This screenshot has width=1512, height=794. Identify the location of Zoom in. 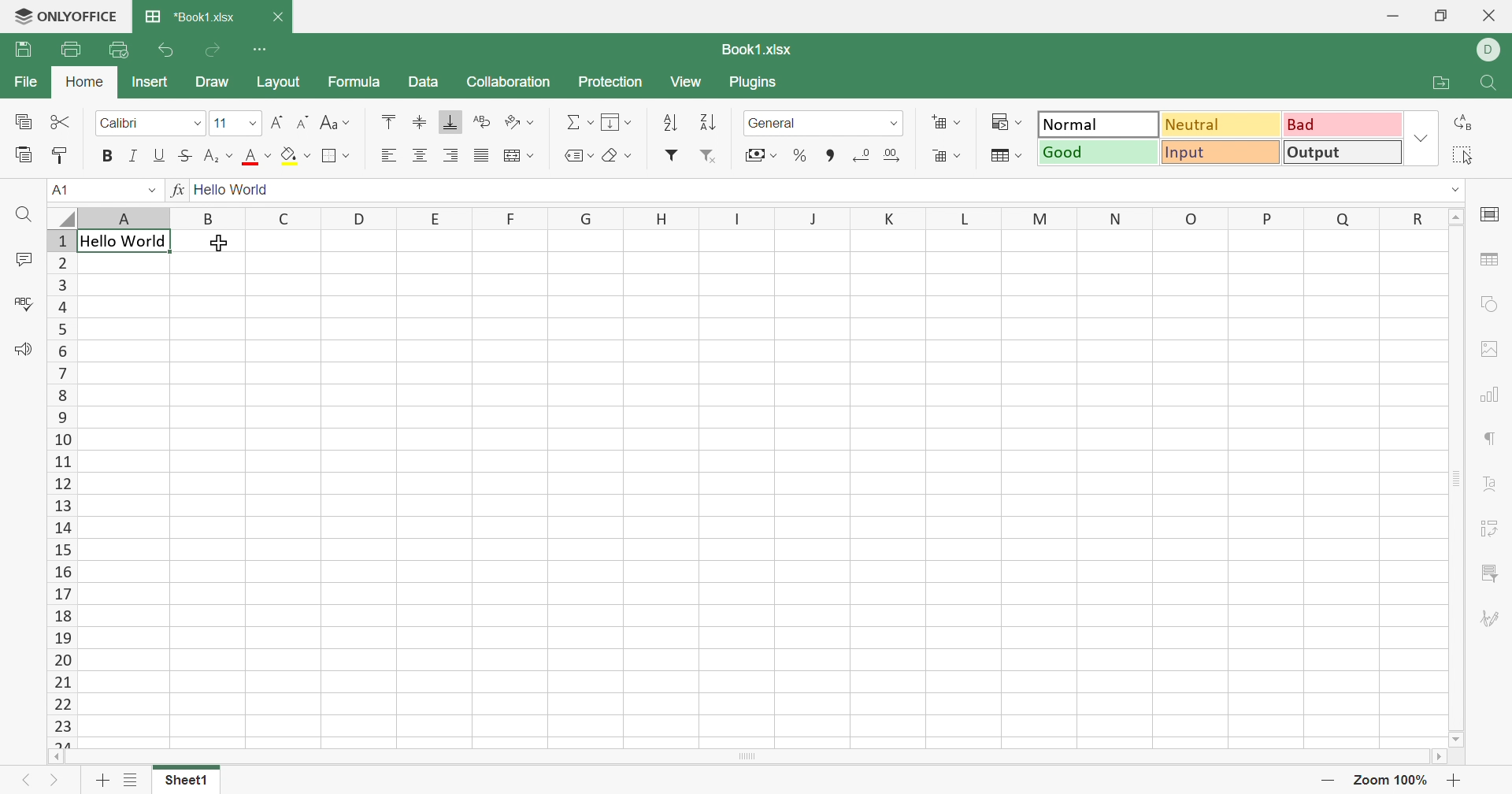
(1454, 781).